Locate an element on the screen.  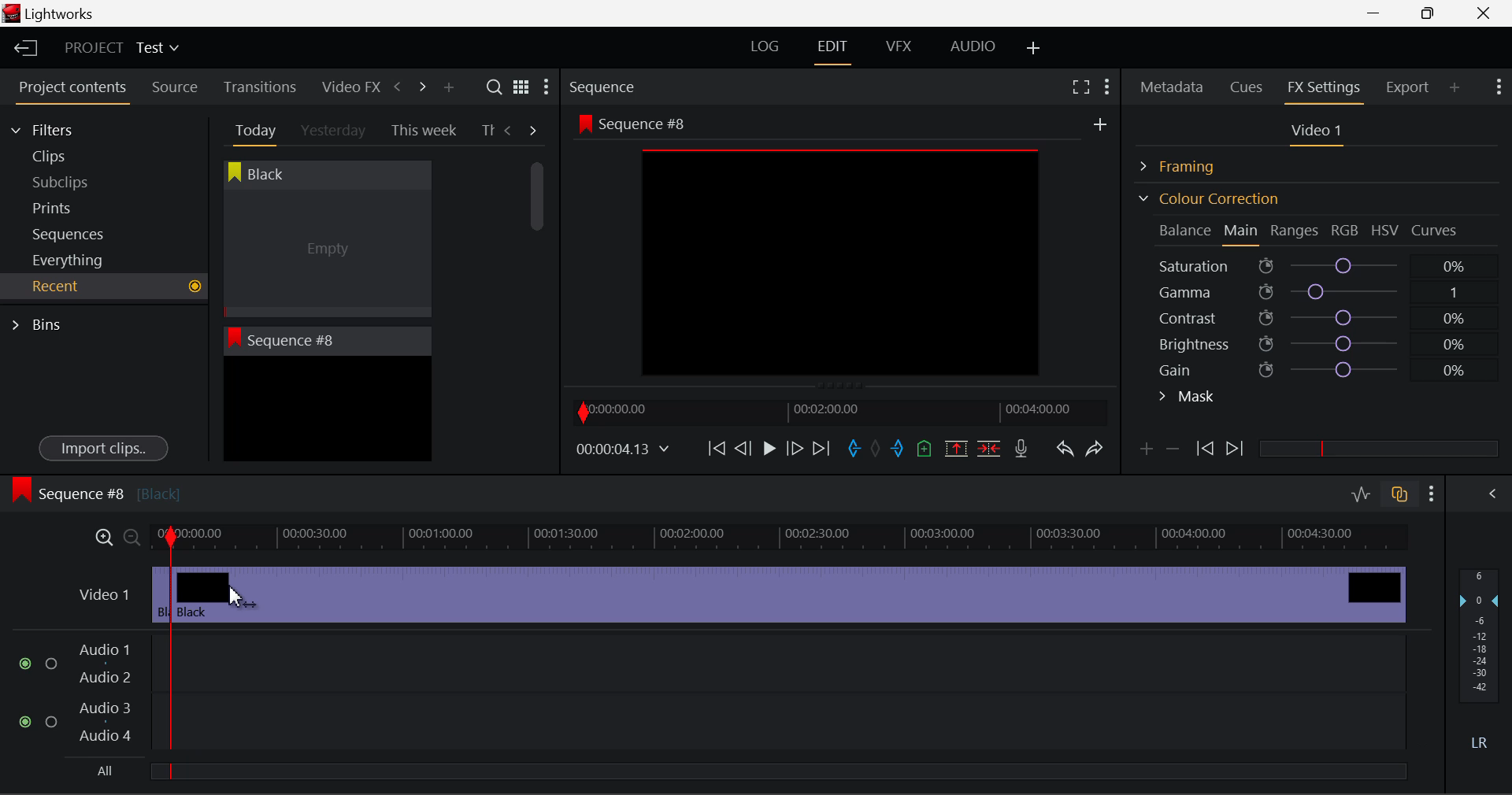
Bins is located at coordinates (42, 323).